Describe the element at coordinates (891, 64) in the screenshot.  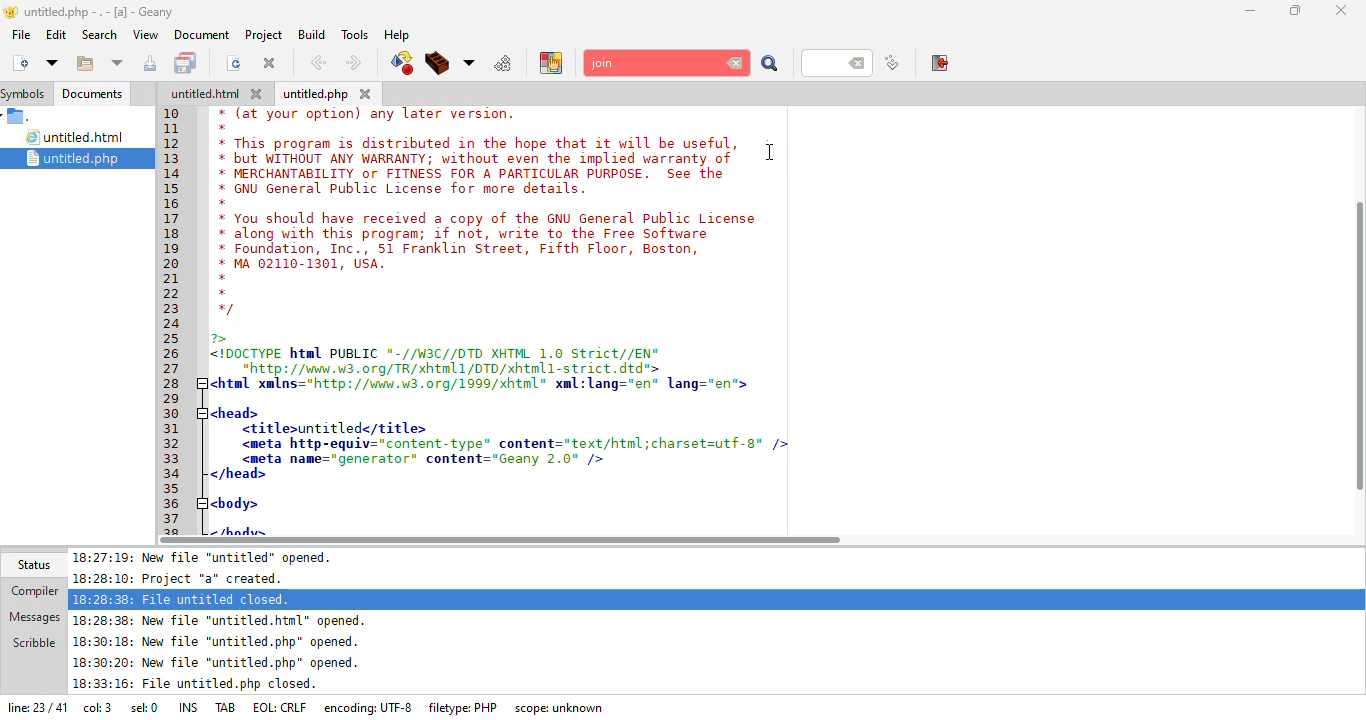
I see `jump to line` at that location.